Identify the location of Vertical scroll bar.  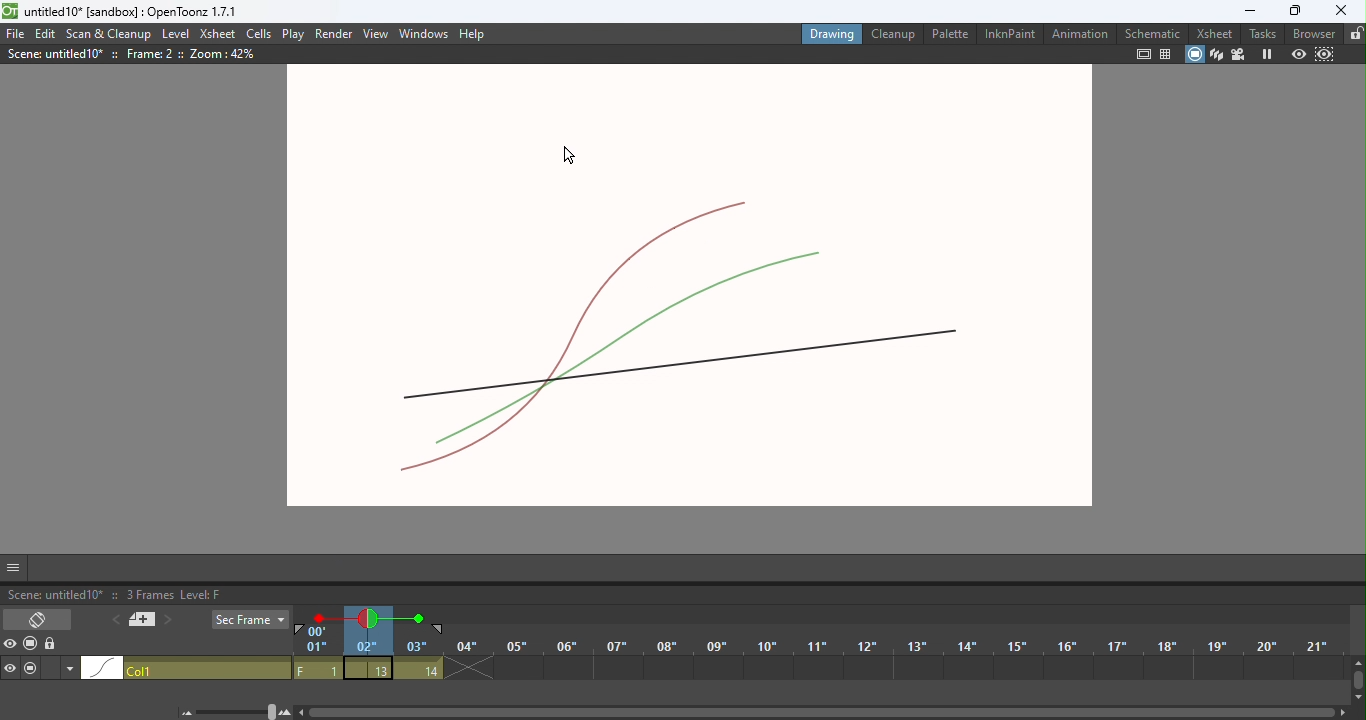
(1356, 682).